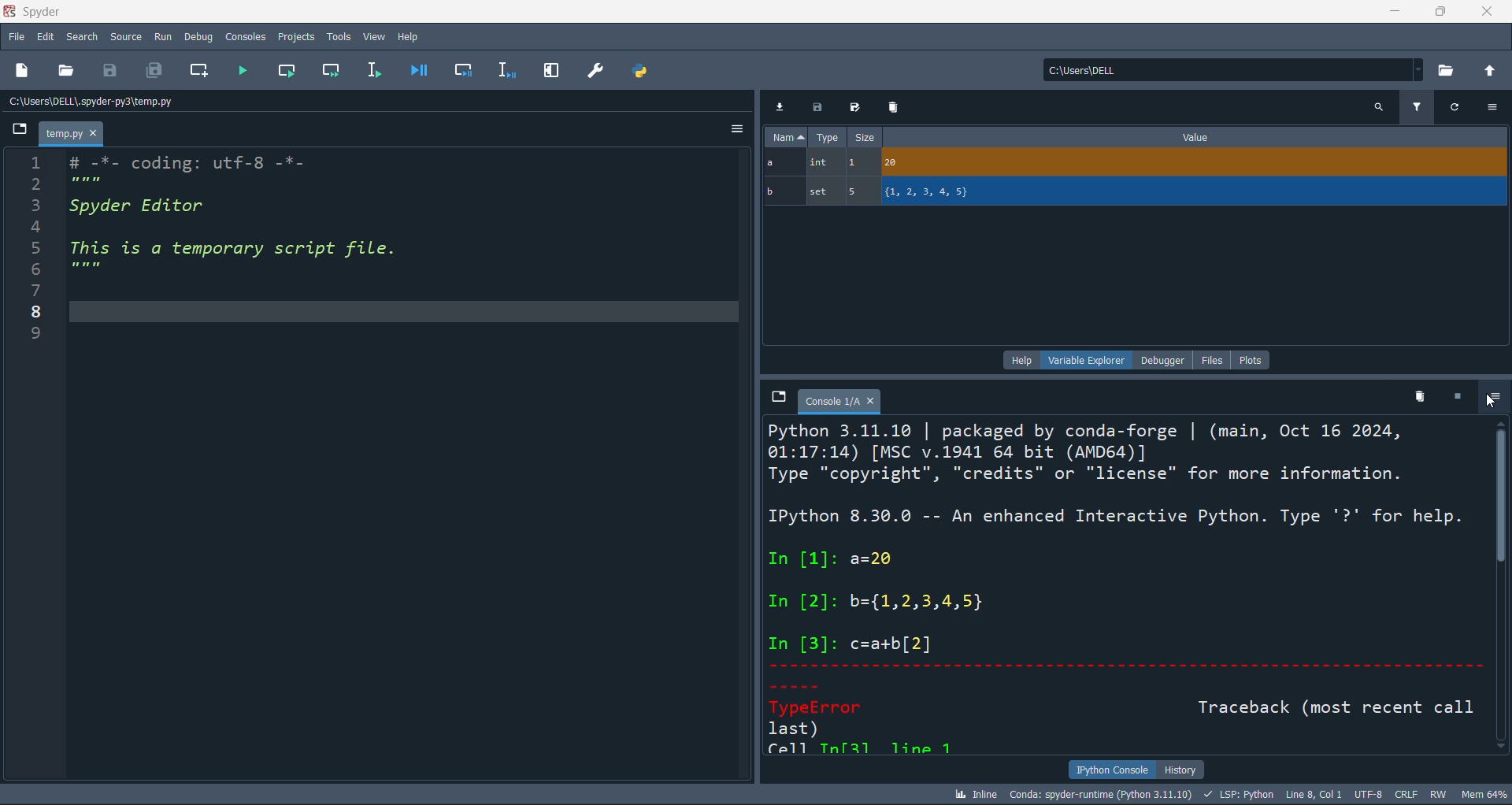 Image resolution: width=1512 pixels, height=805 pixels. I want to click on delete, so click(892, 106).